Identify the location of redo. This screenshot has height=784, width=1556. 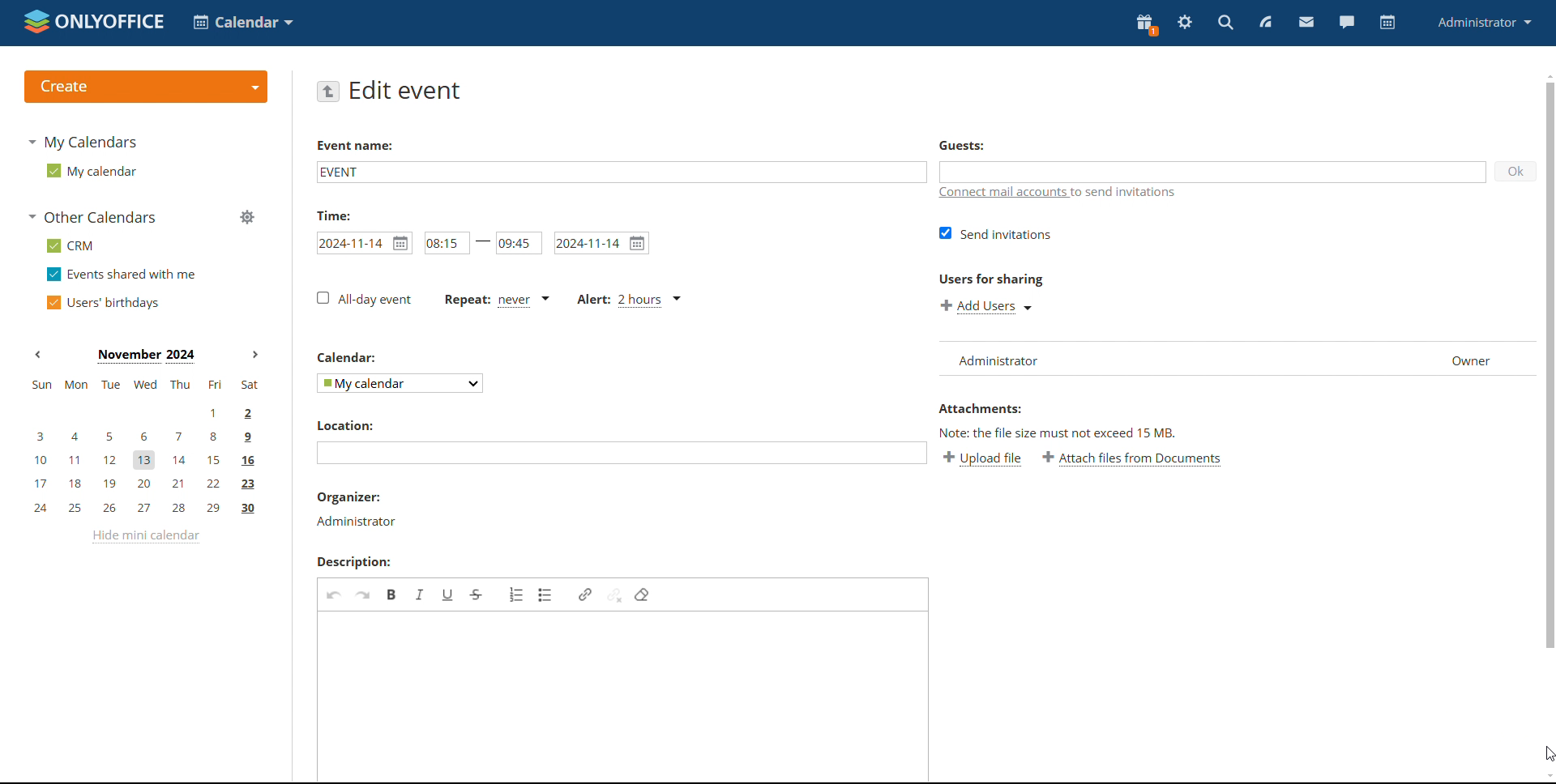
(364, 594).